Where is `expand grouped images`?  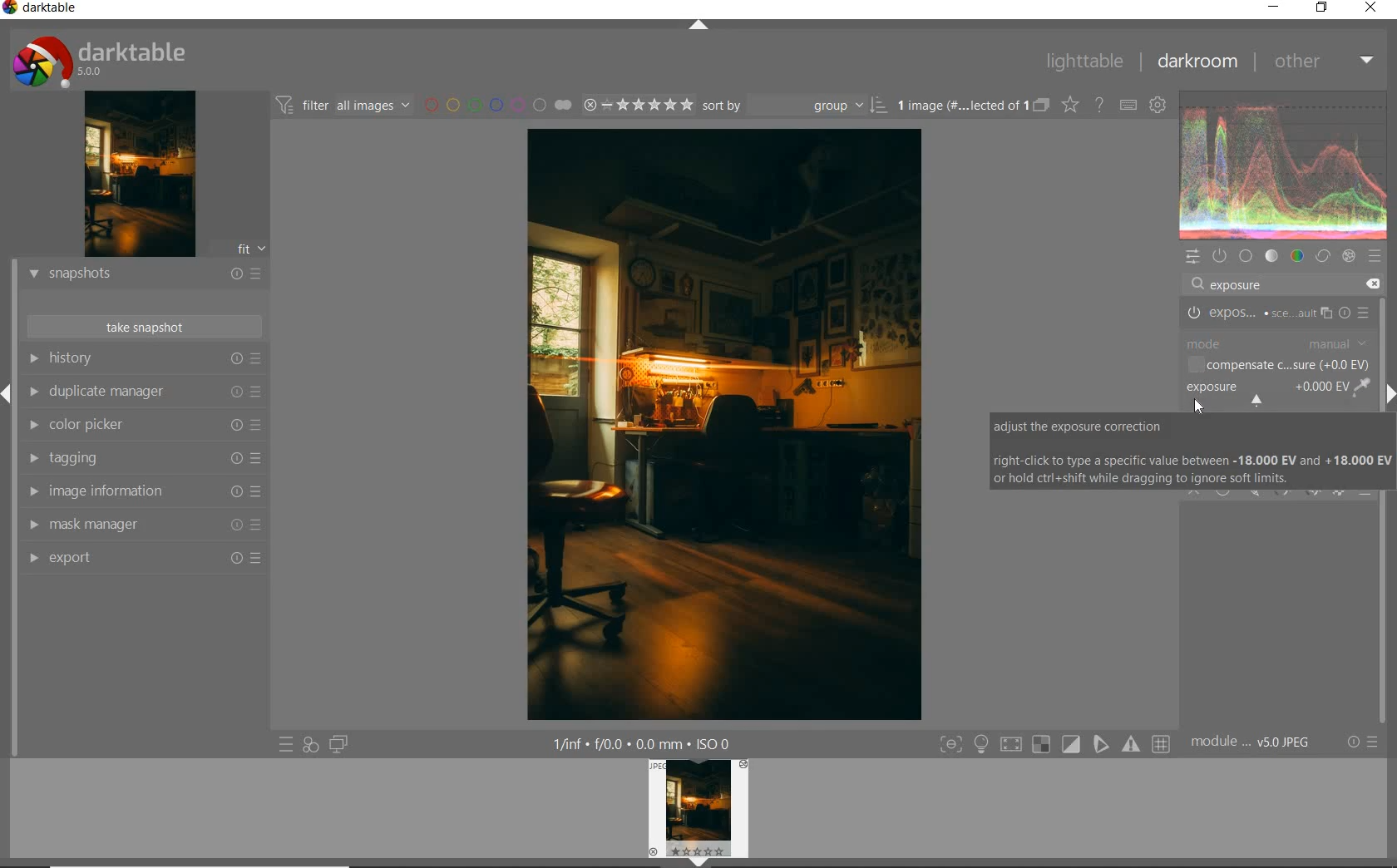
expand grouped images is located at coordinates (972, 106).